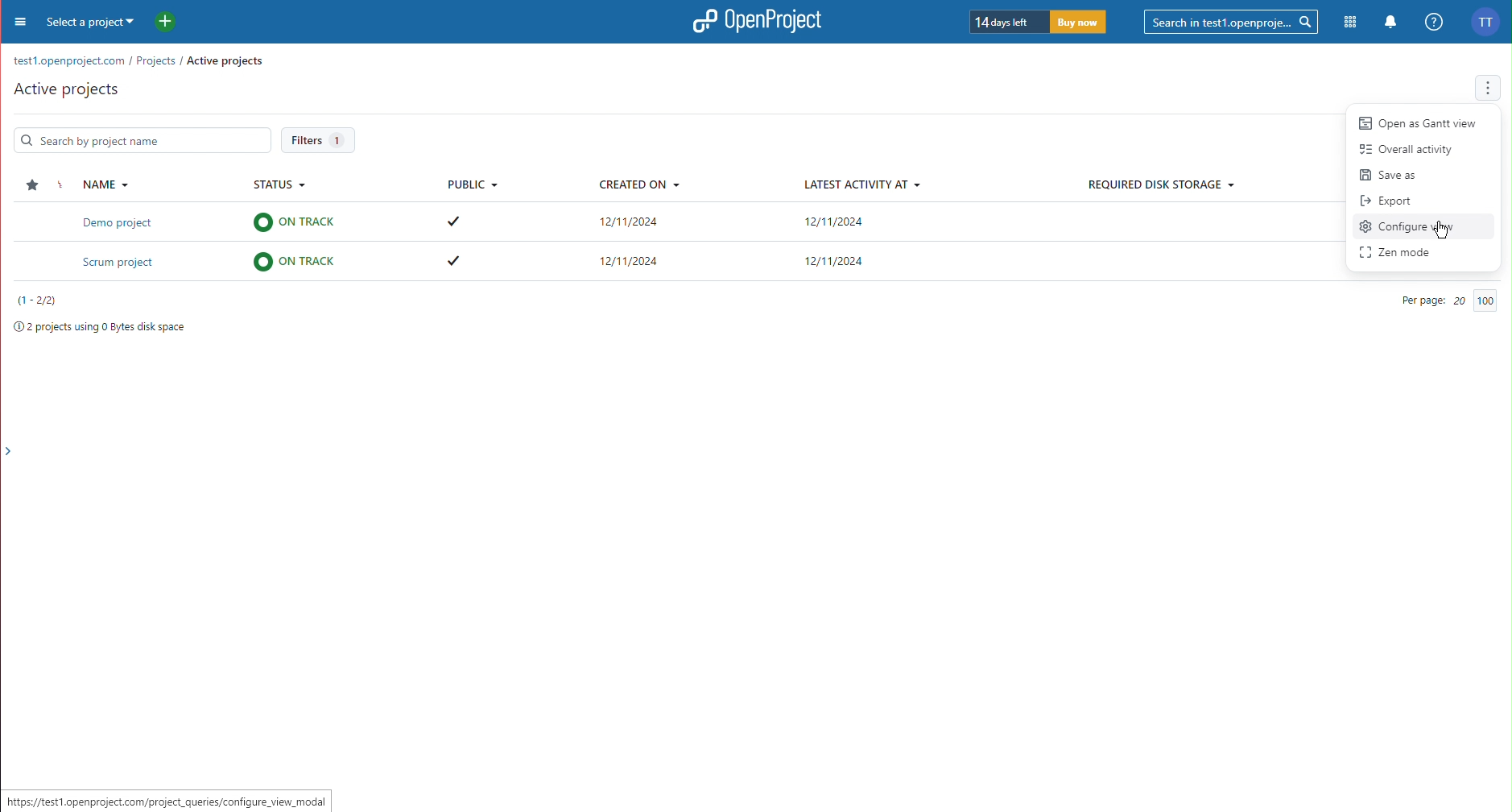 This screenshot has width=1512, height=812. I want to click on Configure View, so click(1408, 228).